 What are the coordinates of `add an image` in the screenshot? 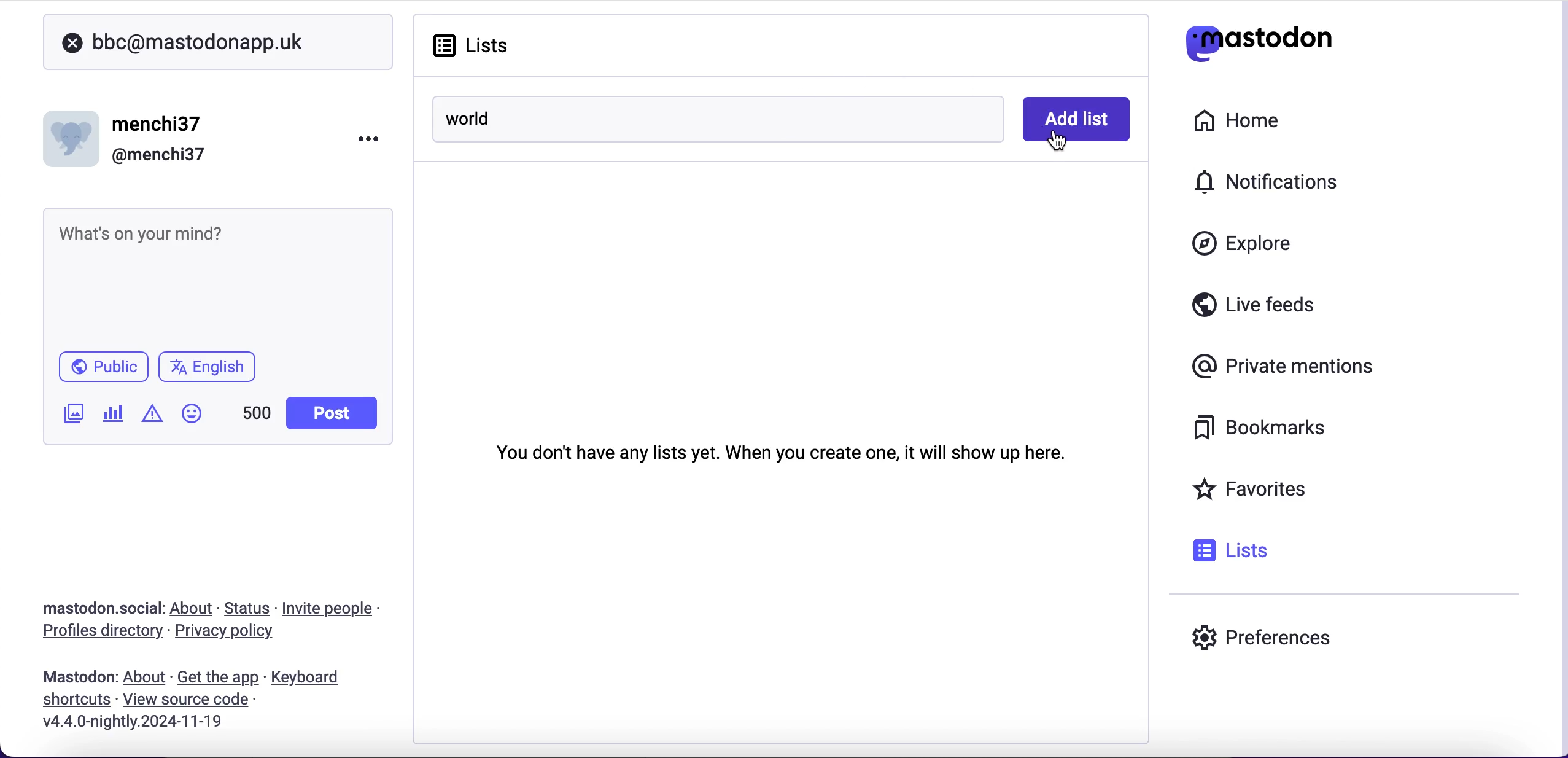 It's located at (72, 413).